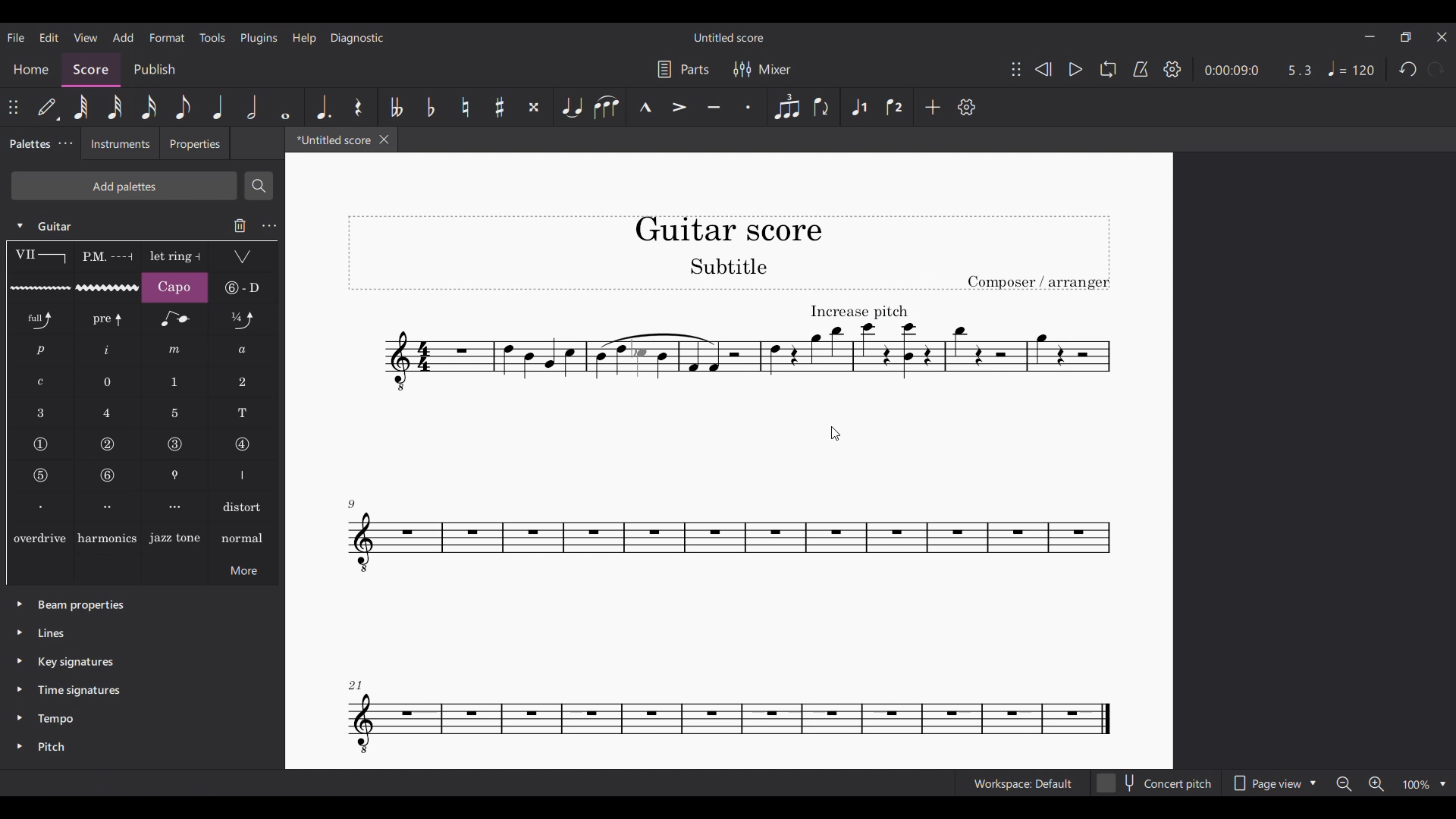  I want to click on overdrive, so click(39, 537).